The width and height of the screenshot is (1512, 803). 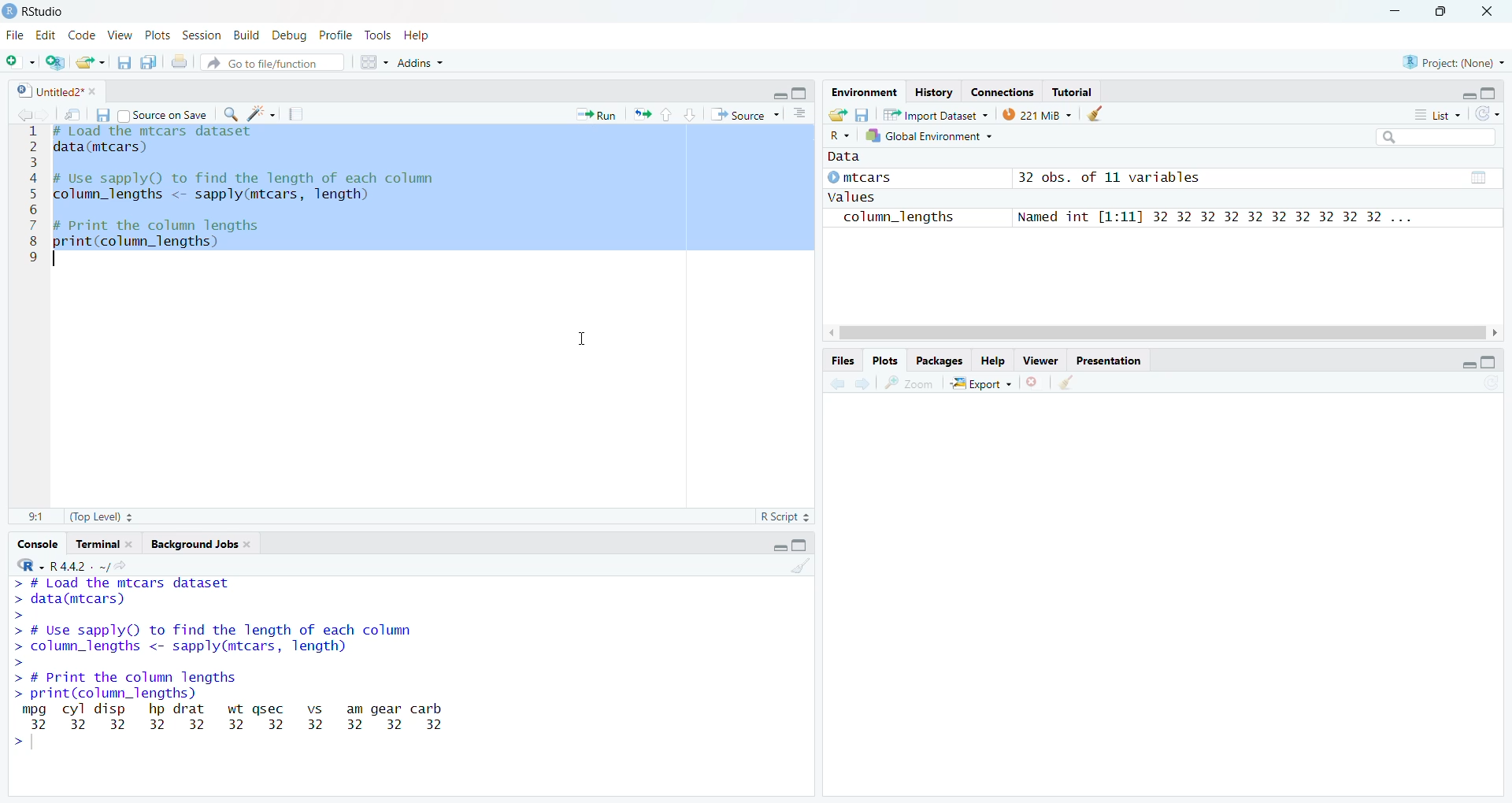 What do you see at coordinates (55, 91) in the screenshot?
I see `Untitled2*` at bounding box center [55, 91].